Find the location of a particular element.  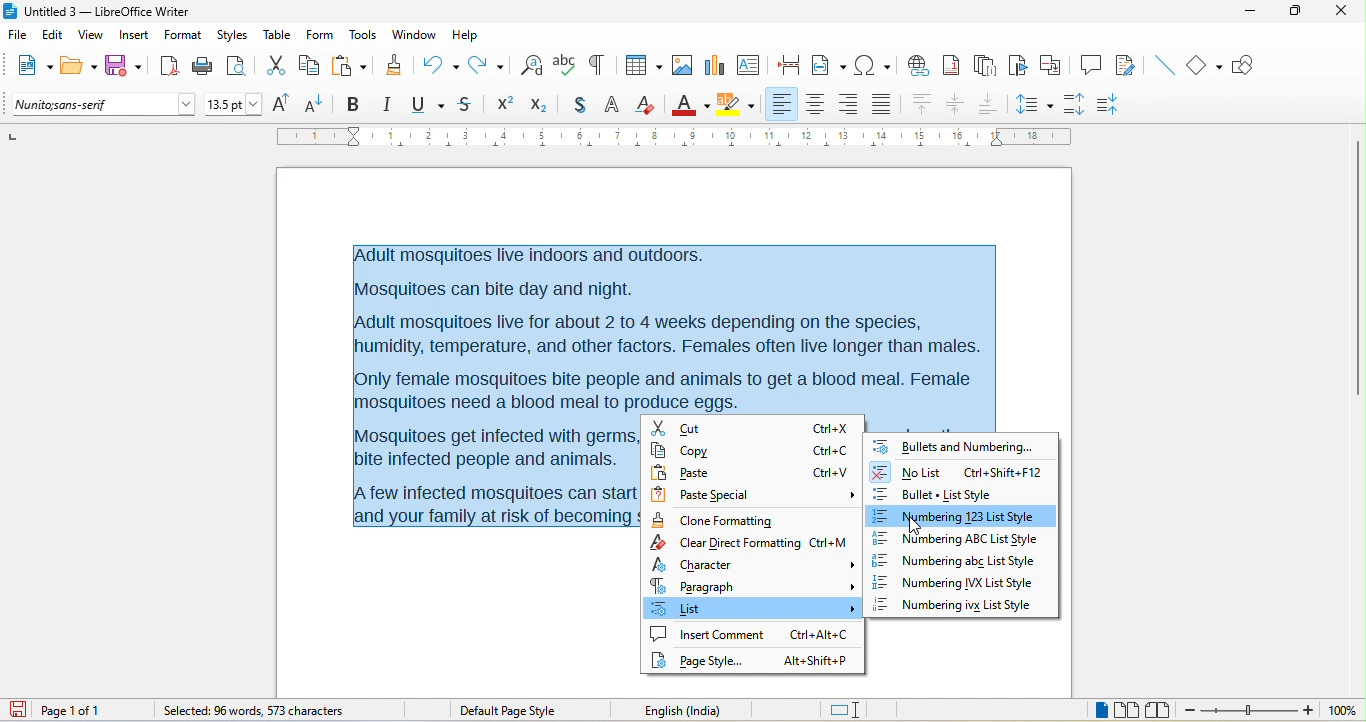

tools is located at coordinates (365, 36).